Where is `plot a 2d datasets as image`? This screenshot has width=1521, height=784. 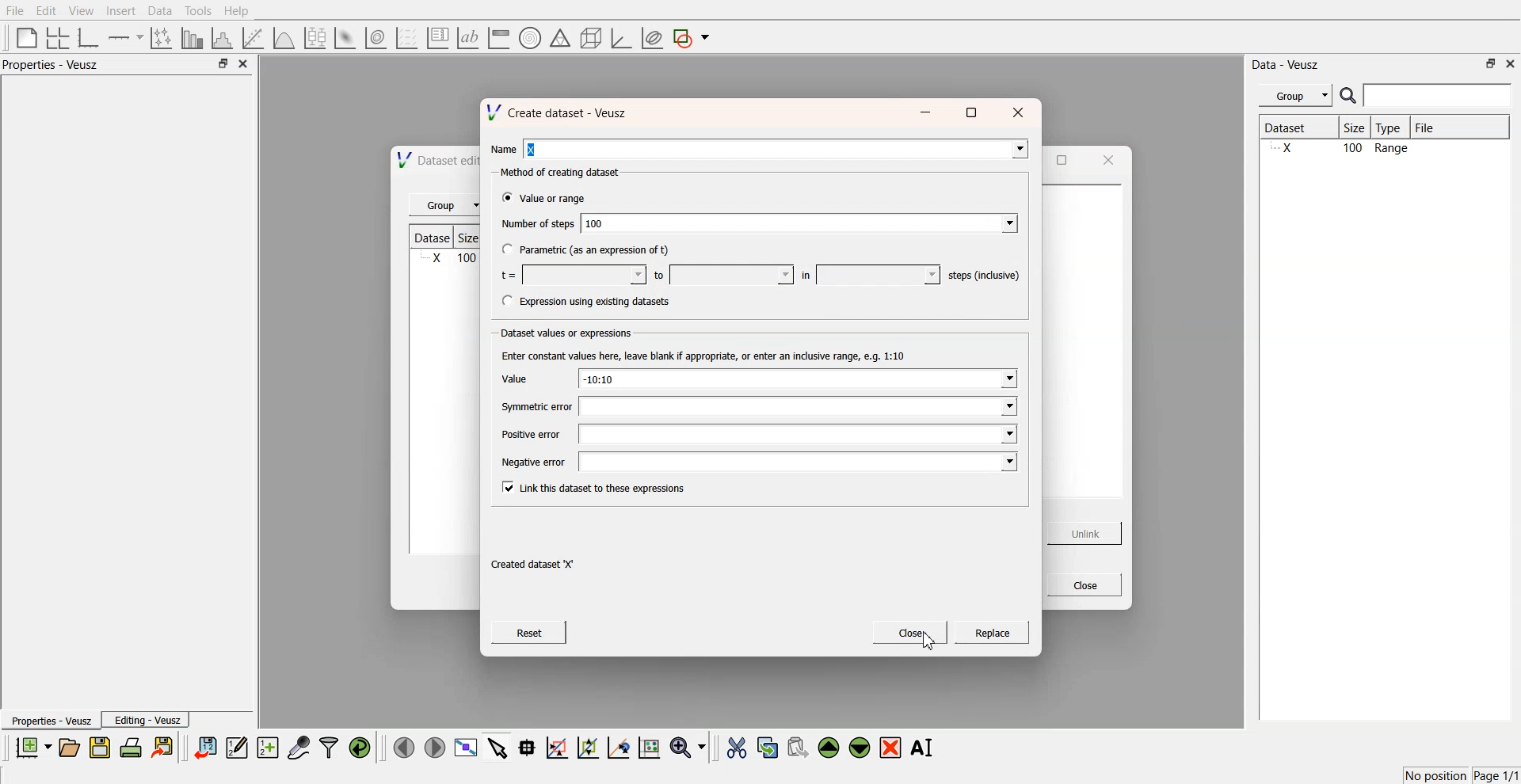 plot a 2d datasets as image is located at coordinates (344, 37).